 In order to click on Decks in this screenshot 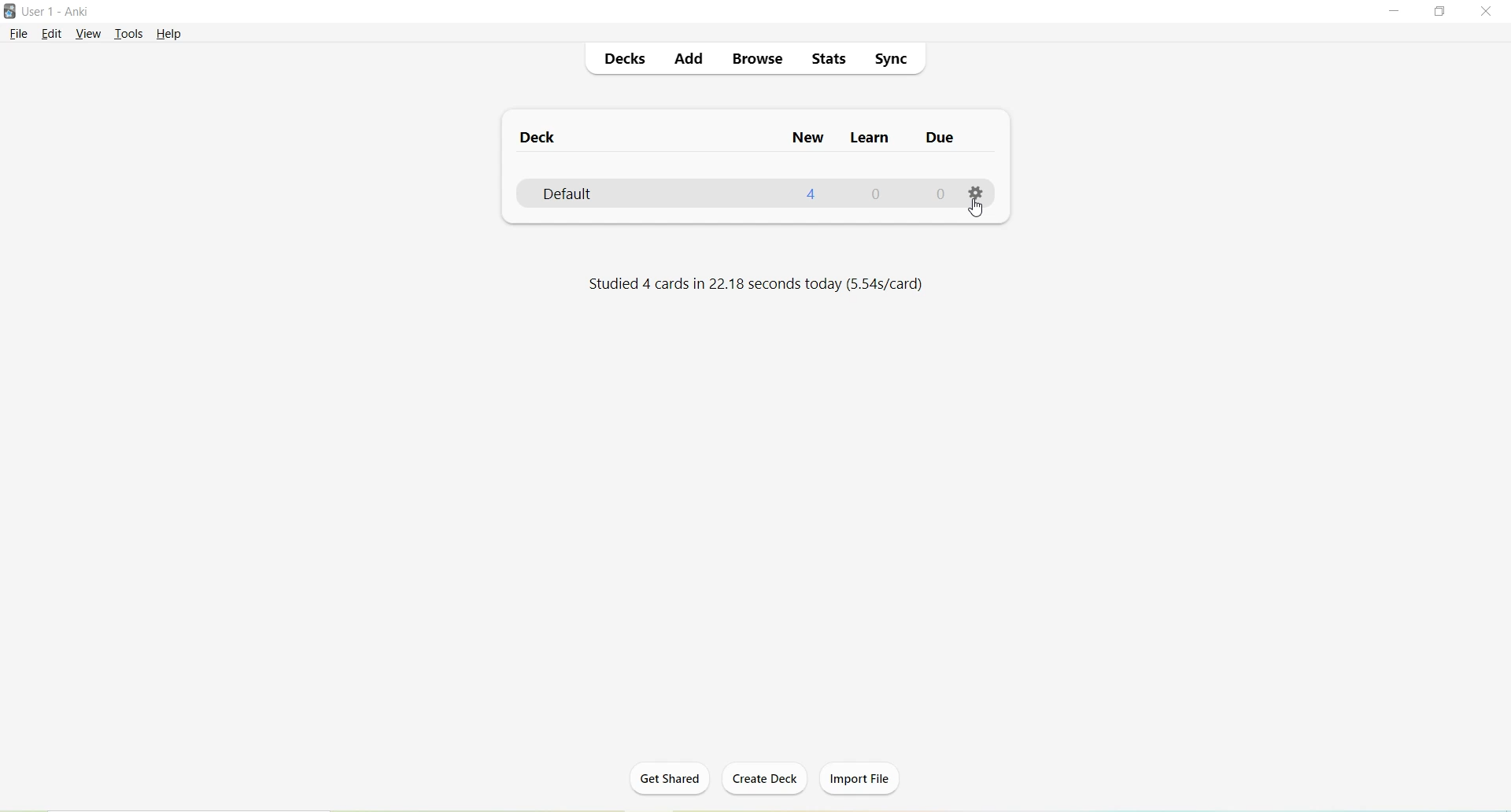, I will do `click(627, 60)`.